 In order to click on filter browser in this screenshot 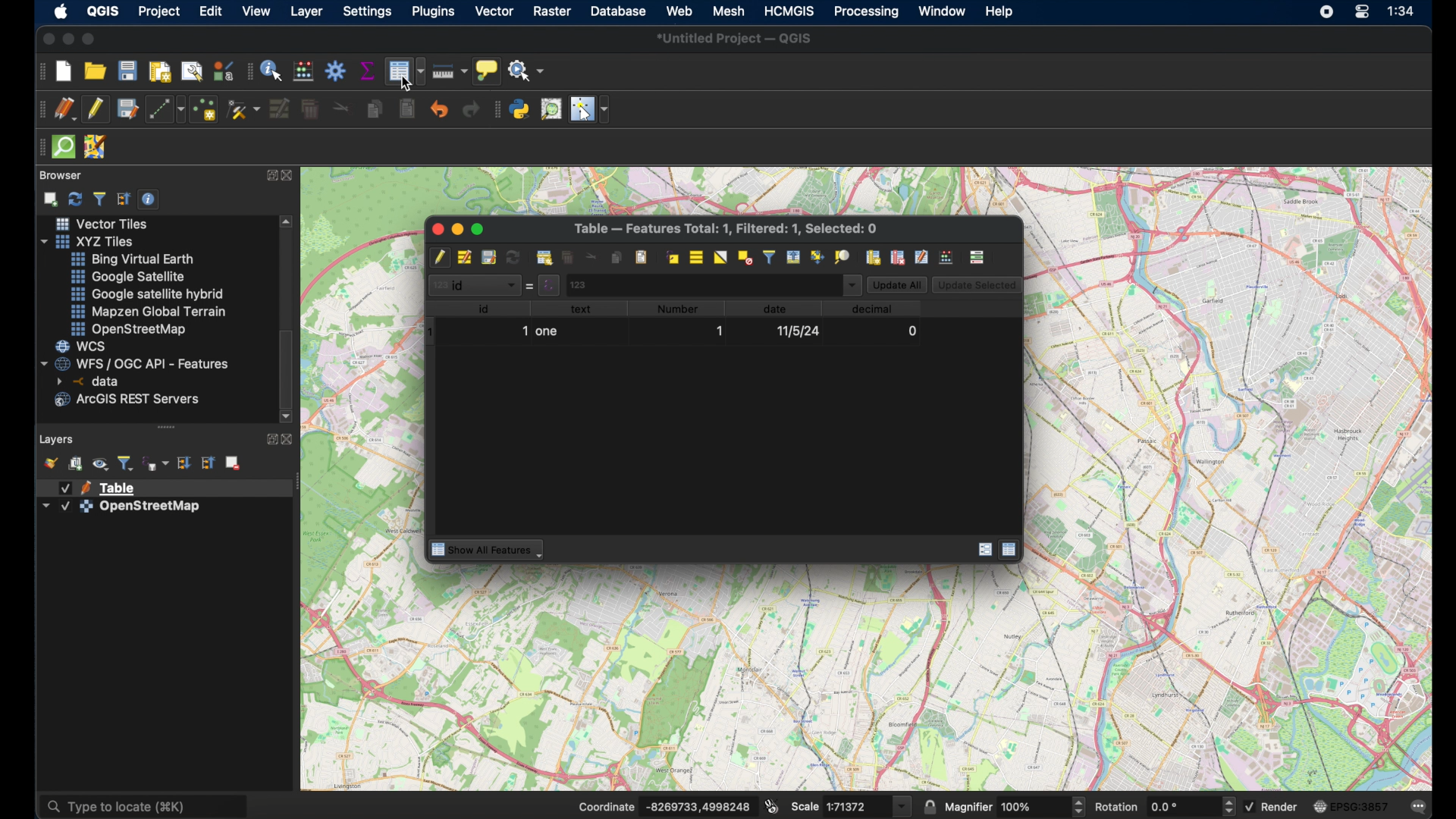, I will do `click(99, 199)`.